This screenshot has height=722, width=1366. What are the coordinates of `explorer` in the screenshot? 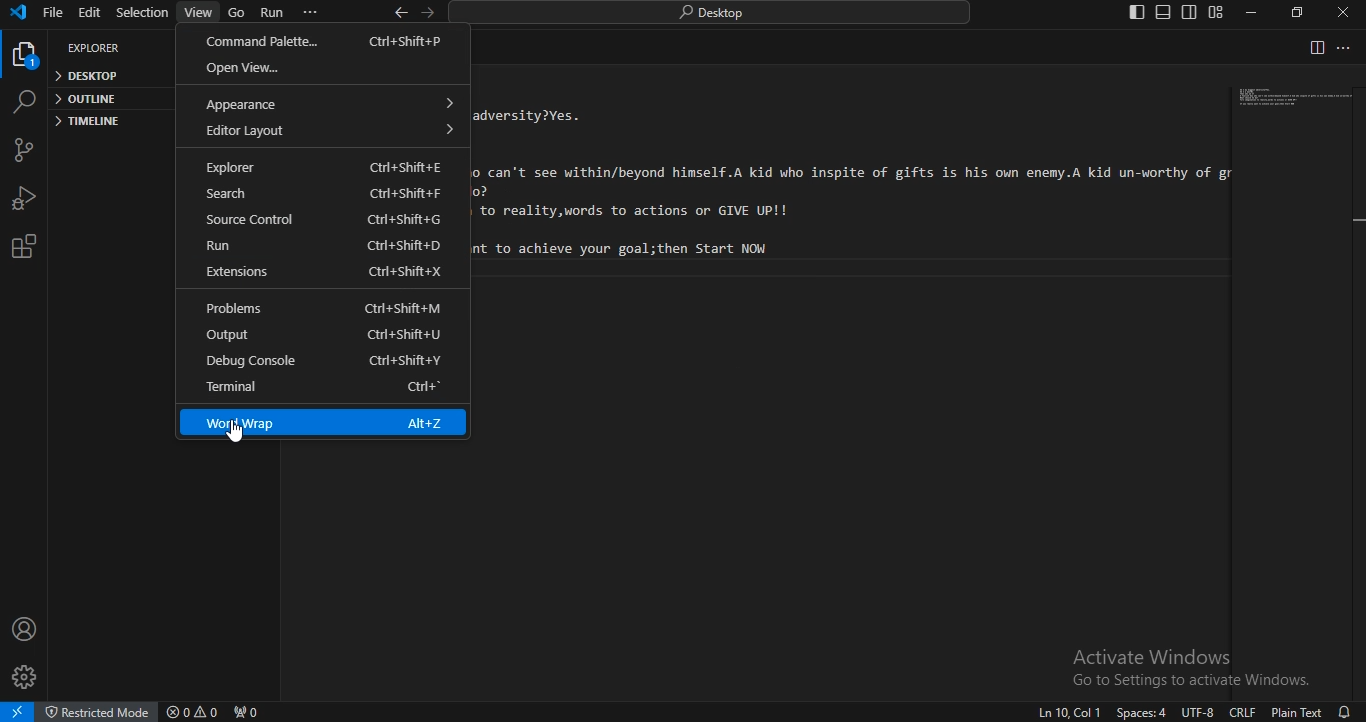 It's located at (97, 48).